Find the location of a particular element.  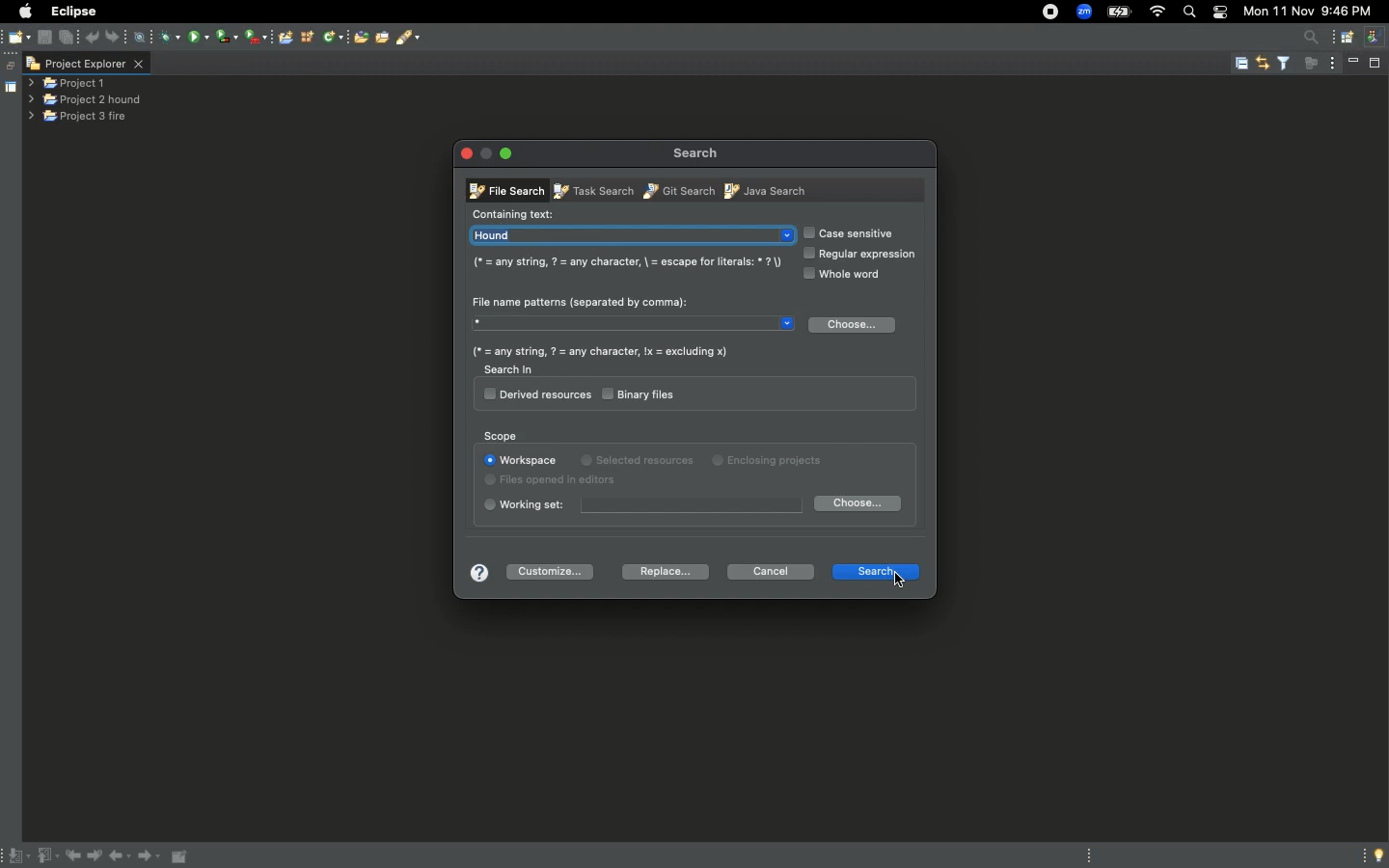

wifi is located at coordinates (1160, 13).